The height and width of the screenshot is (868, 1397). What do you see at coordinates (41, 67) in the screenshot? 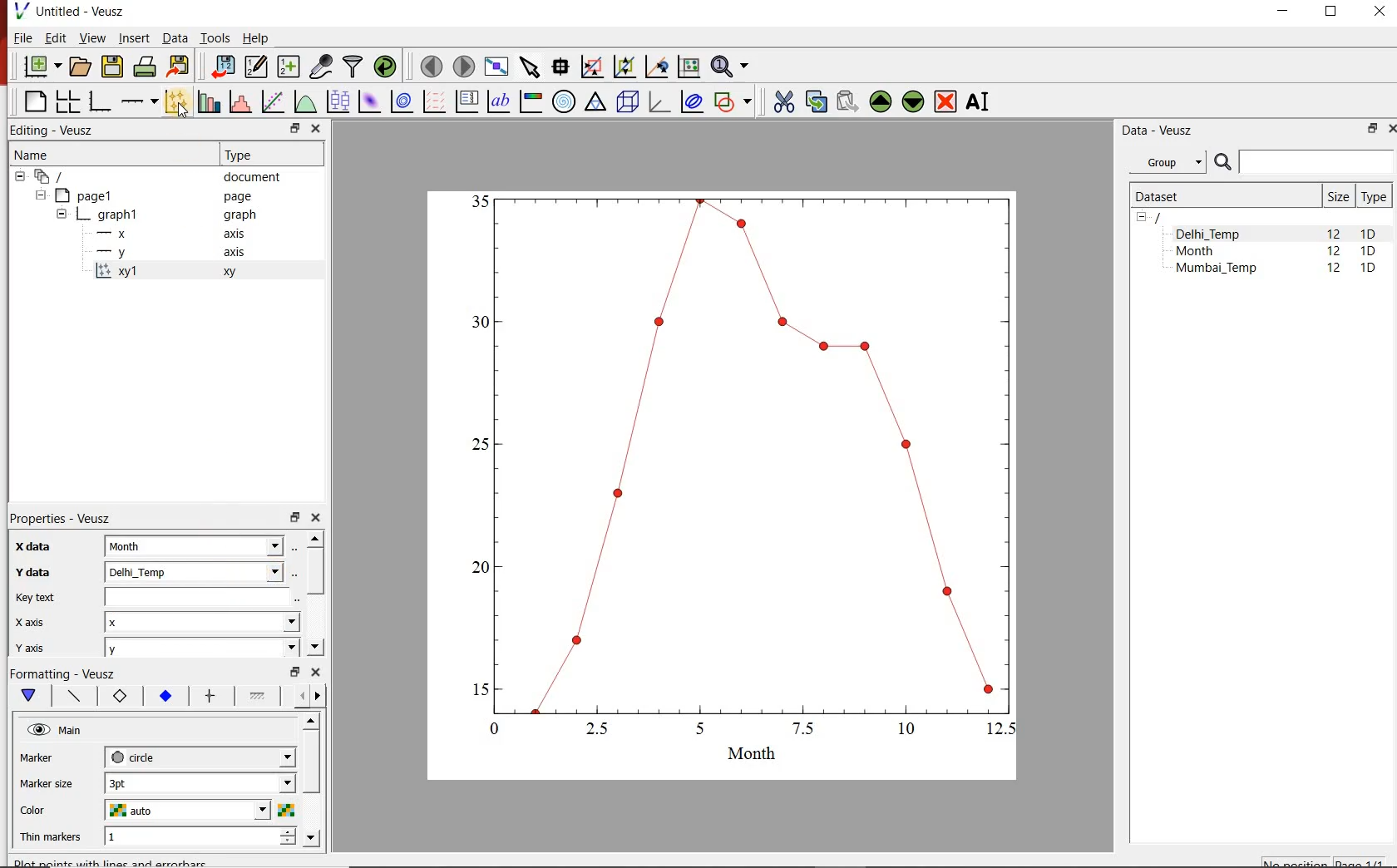
I see `new document` at bounding box center [41, 67].